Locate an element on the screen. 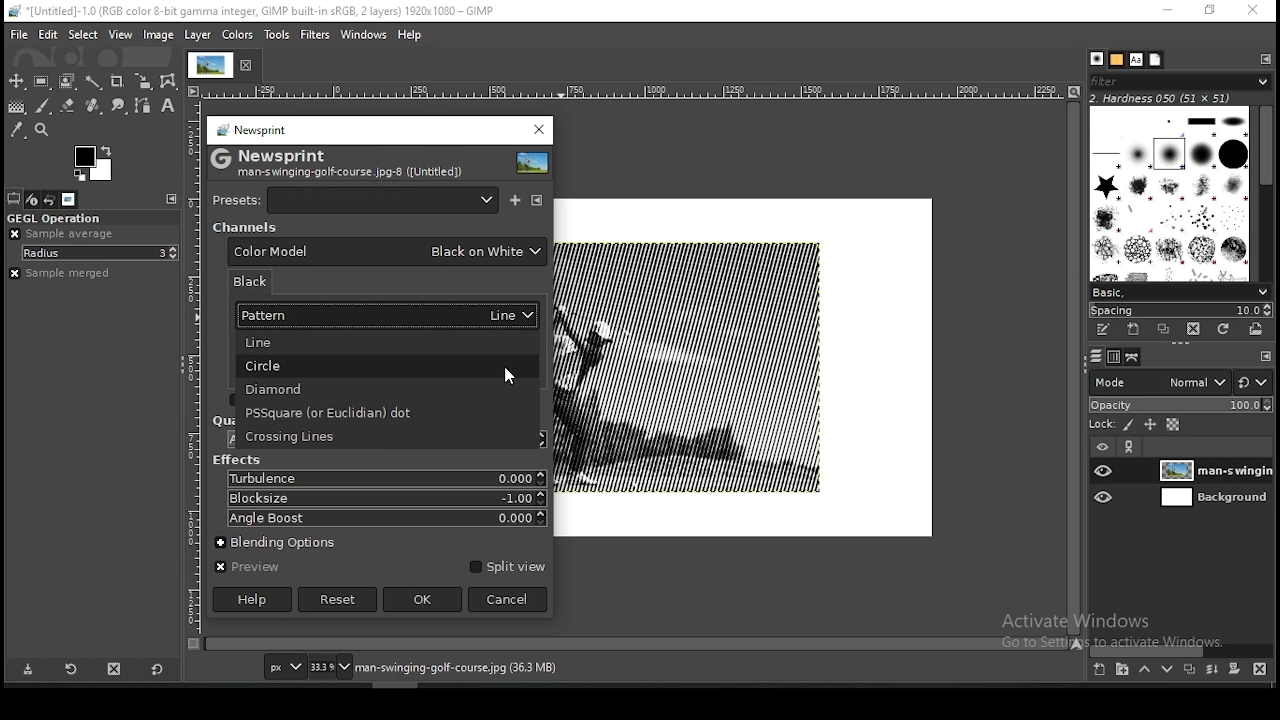 Image resolution: width=1280 pixels, height=720 pixels. man-swinging-golf-course.jpg (36.3 MB) is located at coordinates (454, 668).